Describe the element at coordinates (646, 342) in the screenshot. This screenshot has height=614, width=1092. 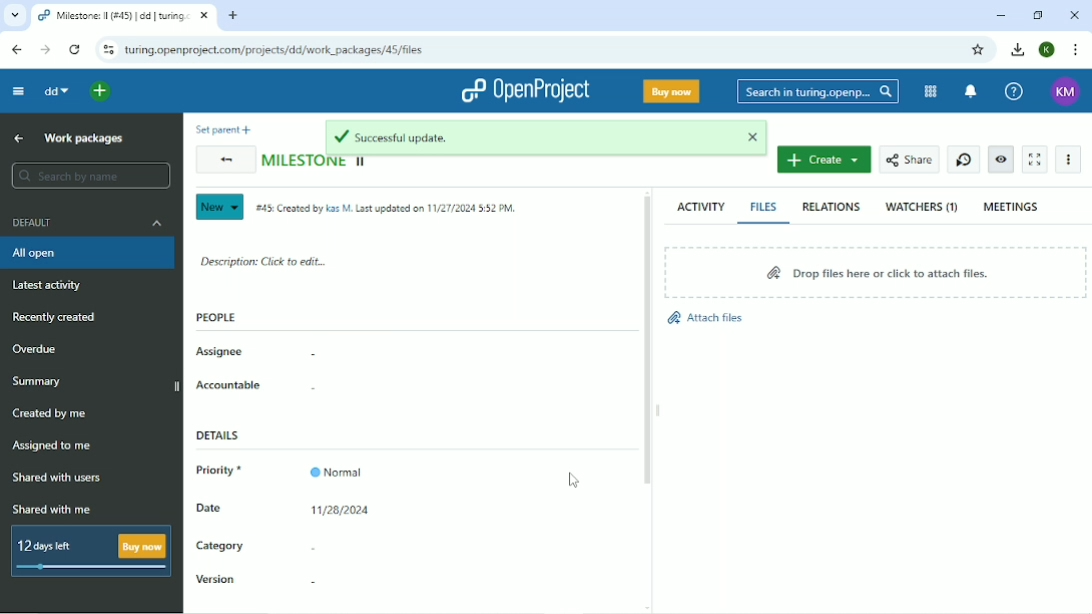
I see `Vertical scrollbar` at that location.